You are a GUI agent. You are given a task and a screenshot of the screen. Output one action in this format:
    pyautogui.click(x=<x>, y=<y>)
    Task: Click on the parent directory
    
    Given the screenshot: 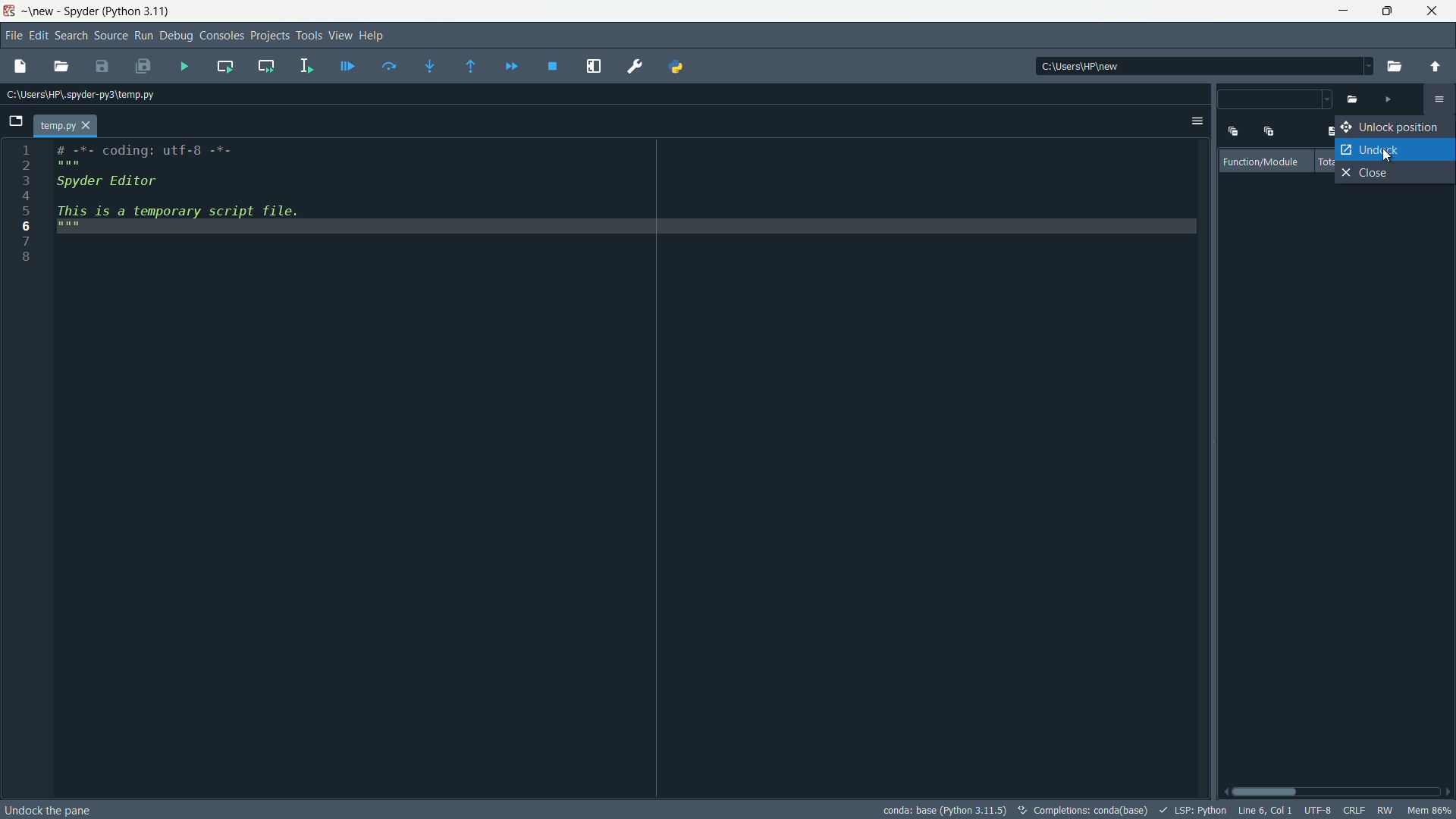 What is the action you would take?
    pyautogui.click(x=1436, y=60)
    